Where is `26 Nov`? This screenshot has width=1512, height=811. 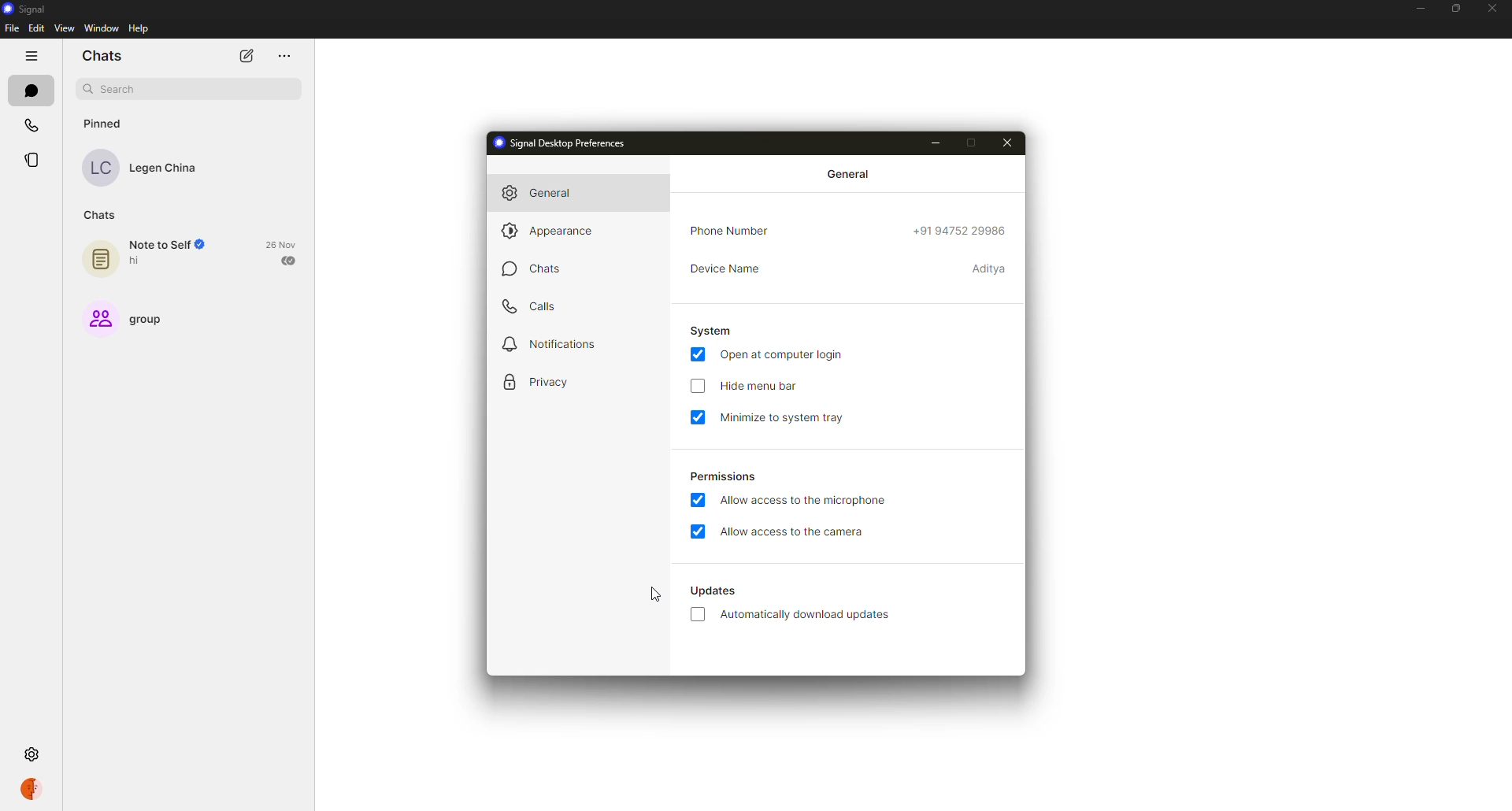 26 Nov is located at coordinates (279, 243).